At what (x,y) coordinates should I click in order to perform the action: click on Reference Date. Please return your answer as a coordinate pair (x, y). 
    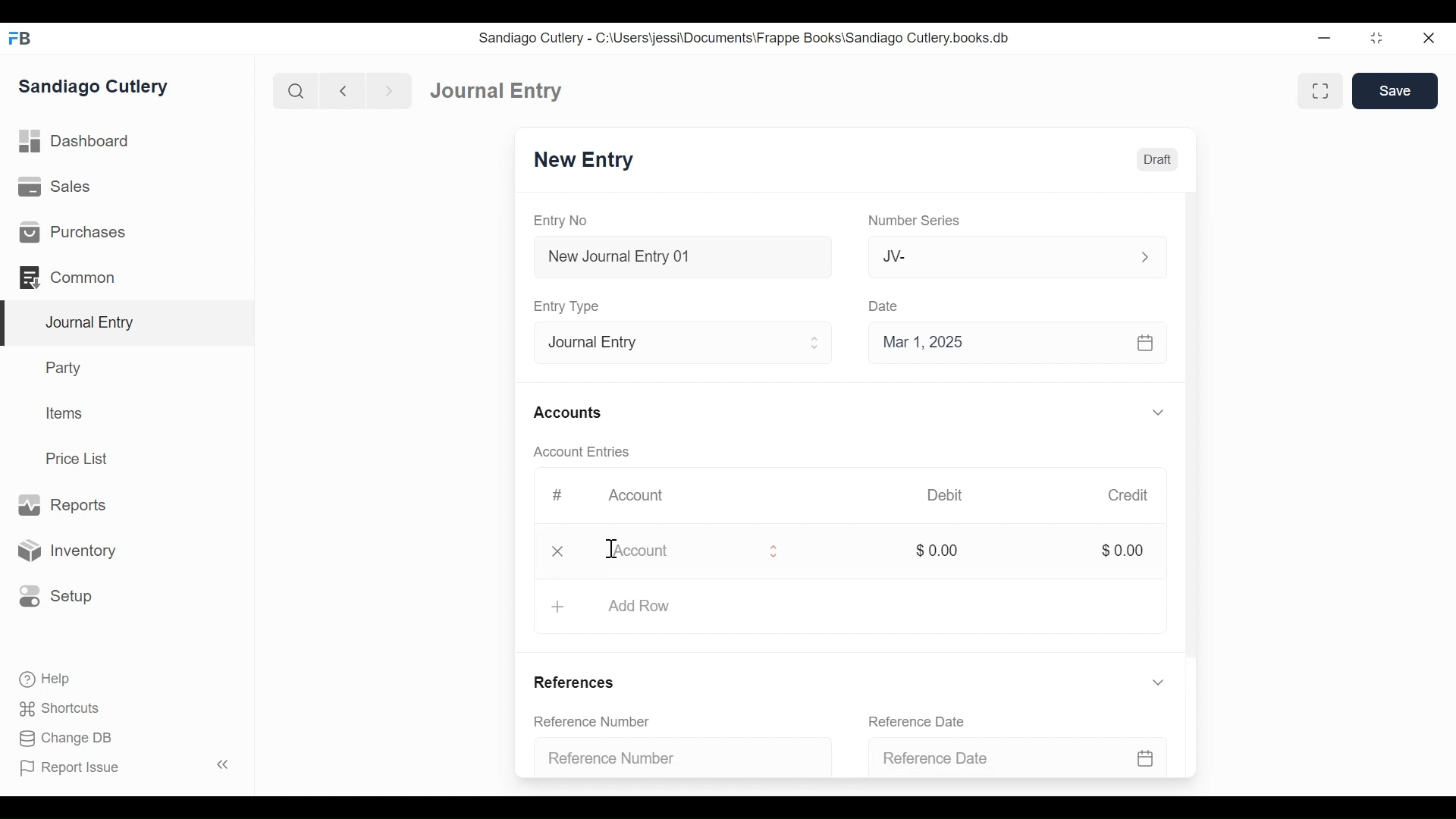
    Looking at the image, I should click on (1031, 758).